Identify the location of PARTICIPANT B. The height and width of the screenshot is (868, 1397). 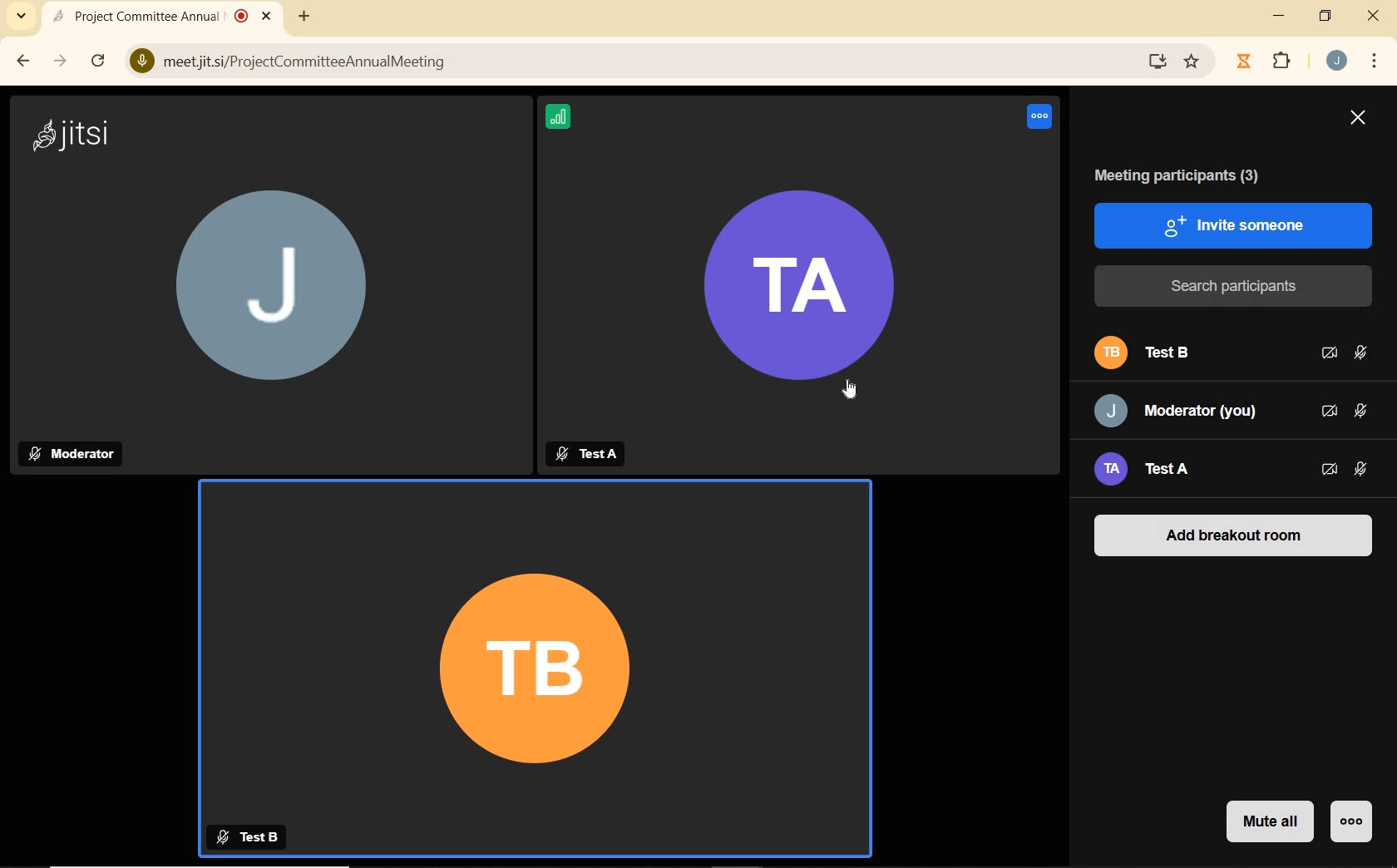
(1154, 354).